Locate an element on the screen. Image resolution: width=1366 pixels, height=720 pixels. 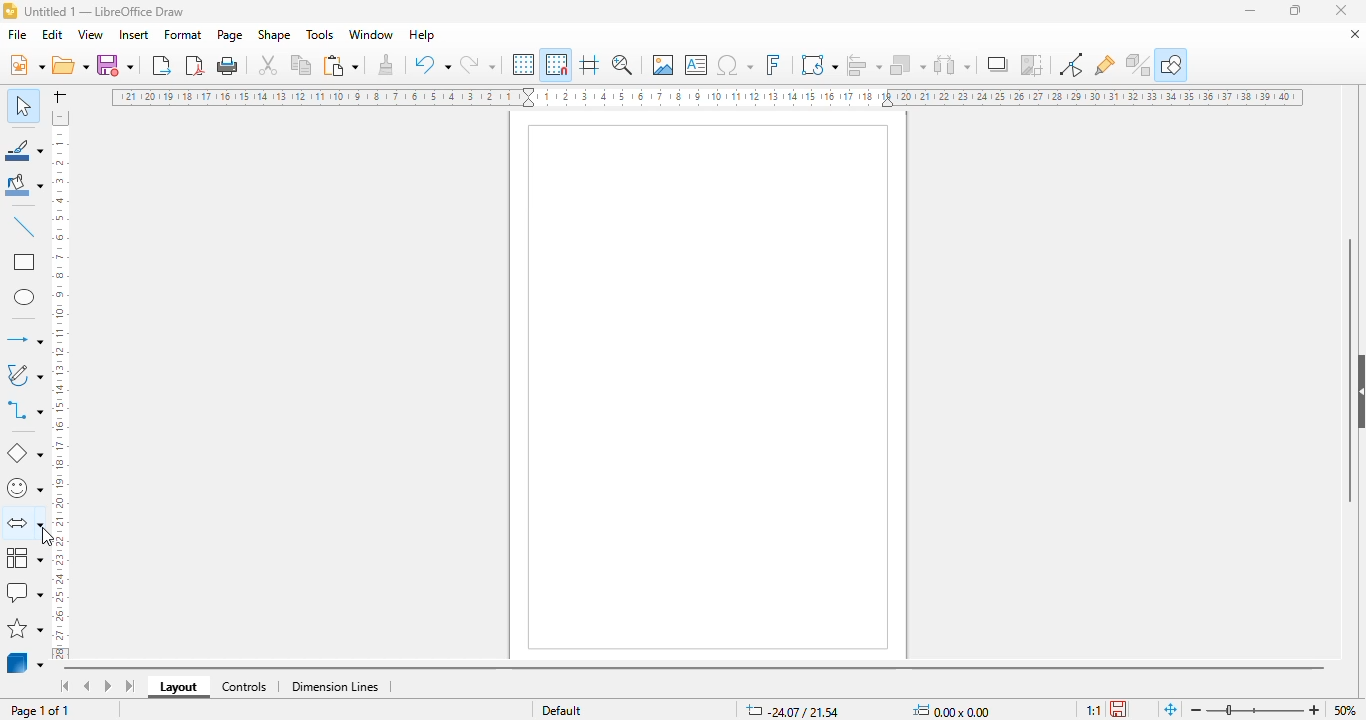
select at least three objects to distribute is located at coordinates (952, 64).